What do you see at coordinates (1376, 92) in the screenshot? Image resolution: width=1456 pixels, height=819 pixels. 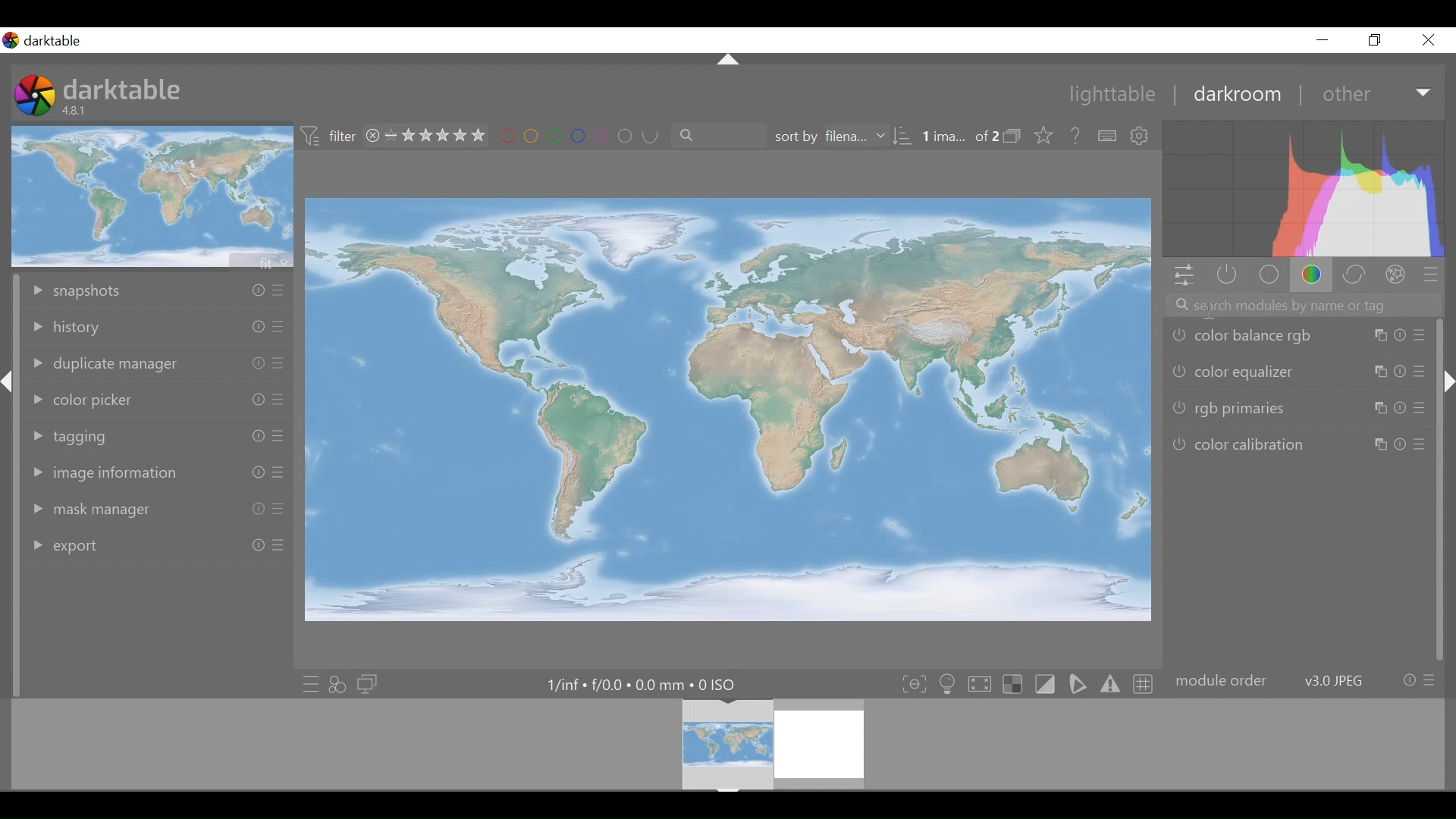 I see `Other` at bounding box center [1376, 92].